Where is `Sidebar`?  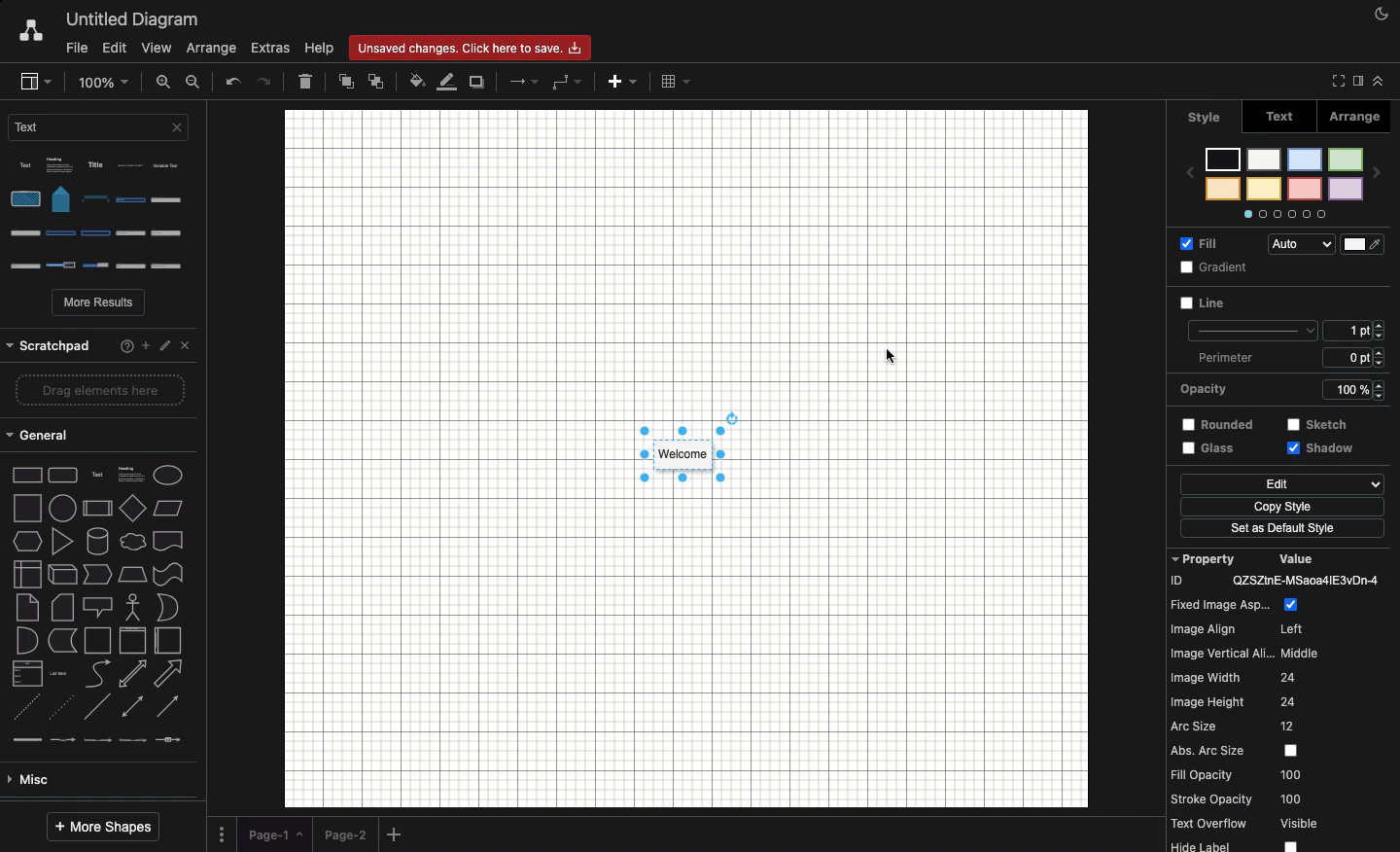 Sidebar is located at coordinates (1355, 82).